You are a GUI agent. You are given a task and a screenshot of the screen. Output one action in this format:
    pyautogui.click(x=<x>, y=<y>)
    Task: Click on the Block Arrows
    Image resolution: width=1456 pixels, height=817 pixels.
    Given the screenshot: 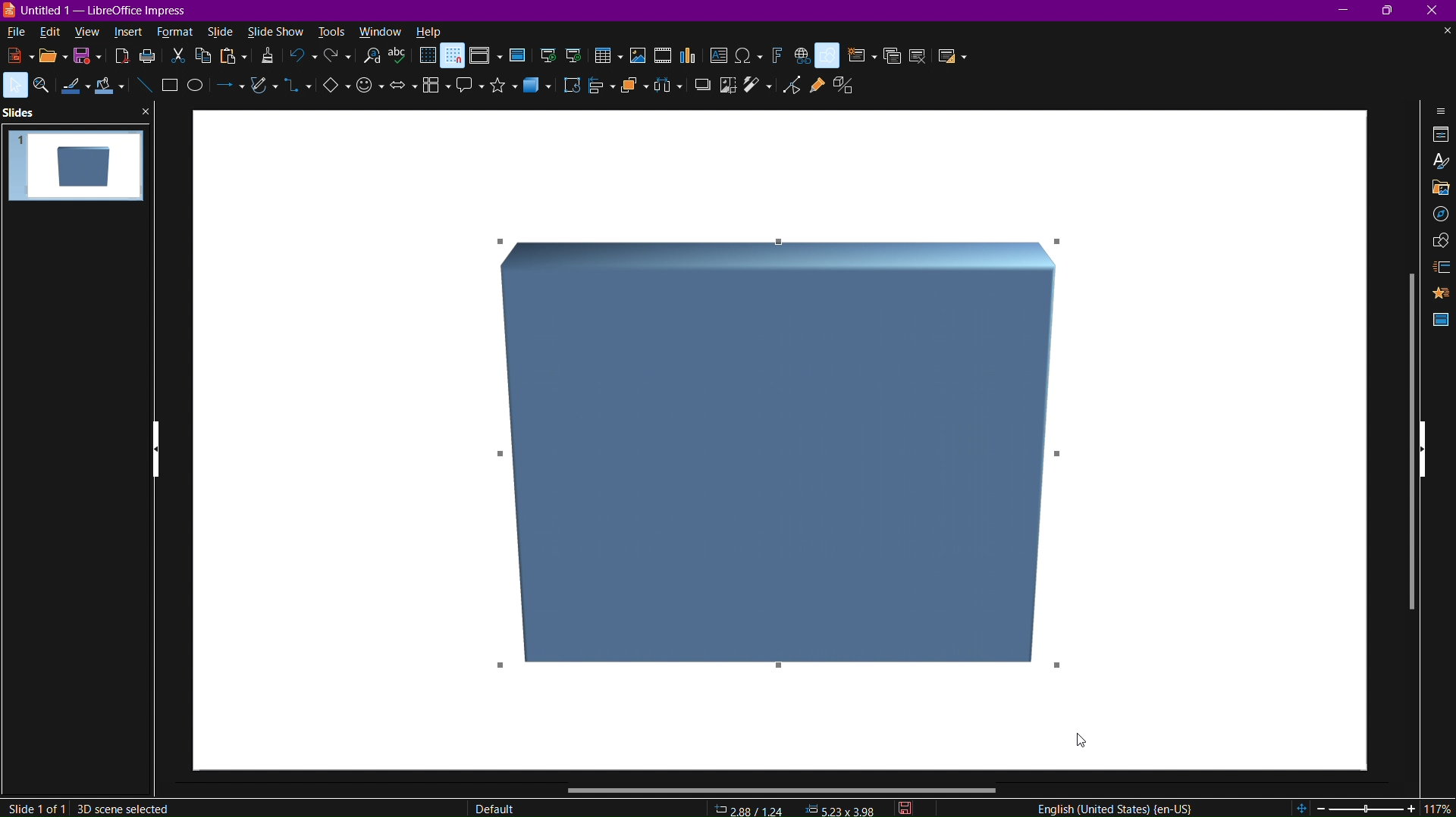 What is the action you would take?
    pyautogui.click(x=401, y=92)
    